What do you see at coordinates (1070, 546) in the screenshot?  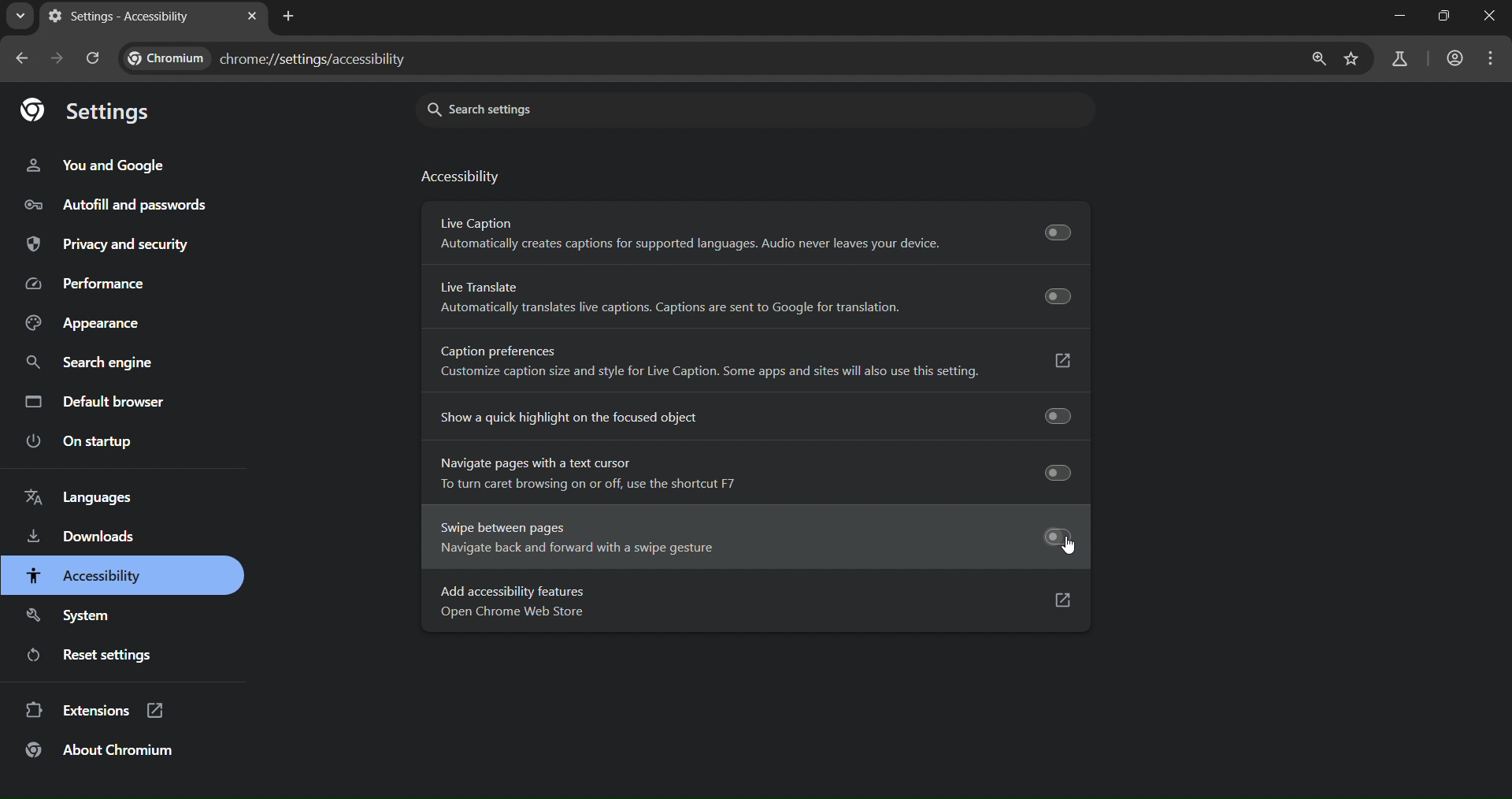 I see `cursor` at bounding box center [1070, 546].